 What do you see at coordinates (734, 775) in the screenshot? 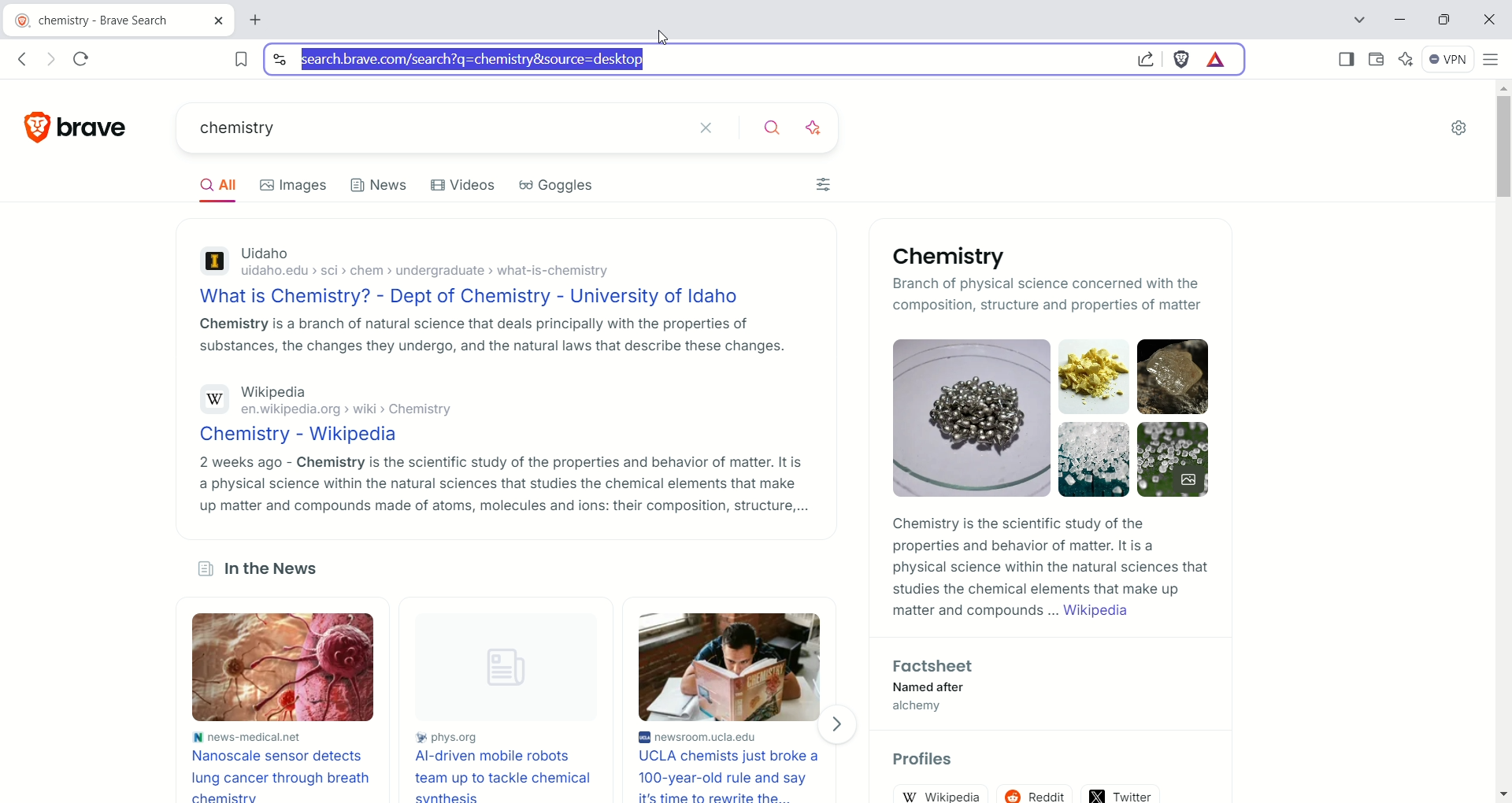
I see `UCLA chemists just broke a 100-year-old rule and say it's time to rewrite the` at bounding box center [734, 775].